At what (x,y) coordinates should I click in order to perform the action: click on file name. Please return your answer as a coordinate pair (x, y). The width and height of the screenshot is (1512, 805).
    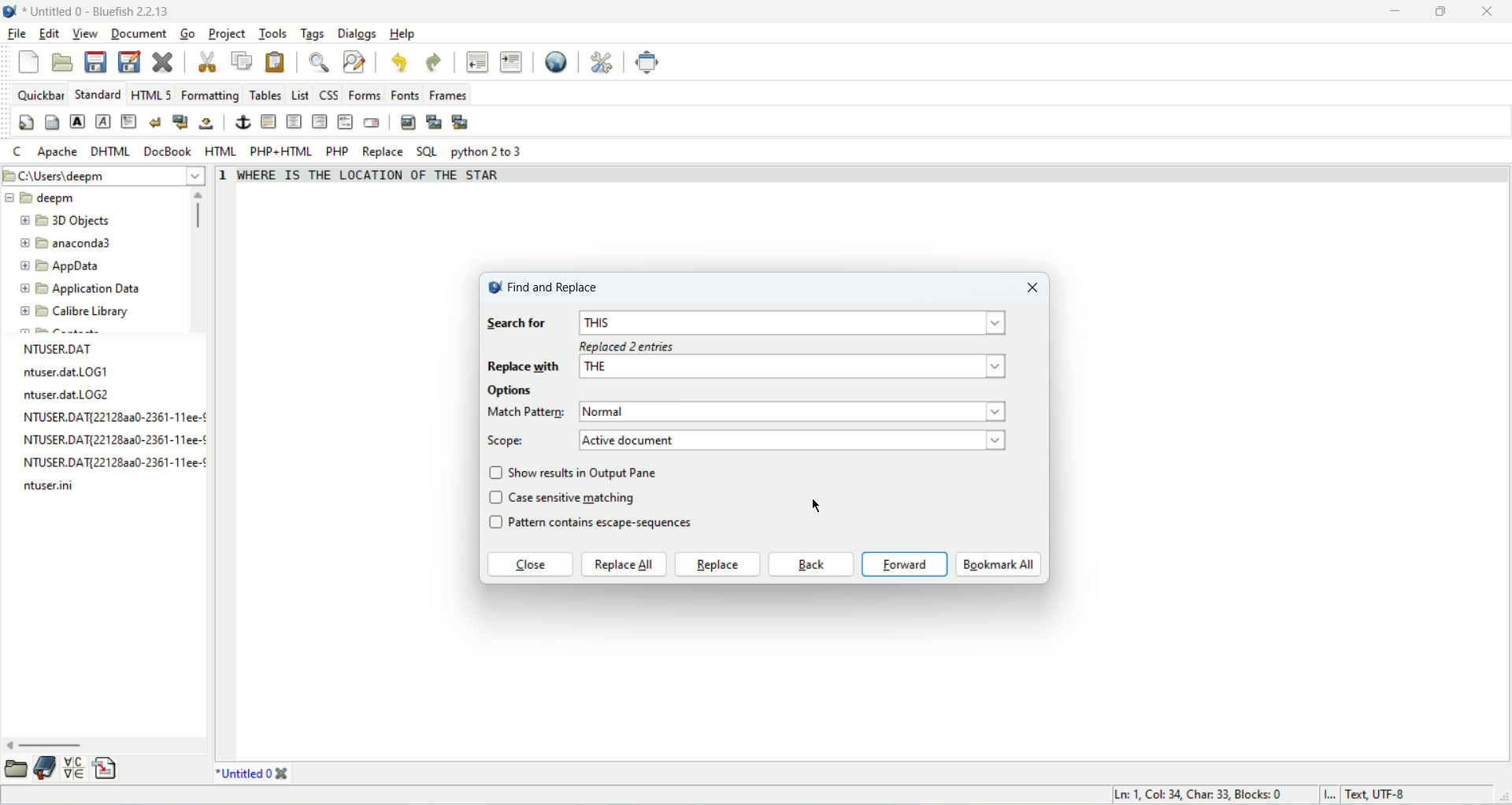
    Looking at the image, I should click on (114, 440).